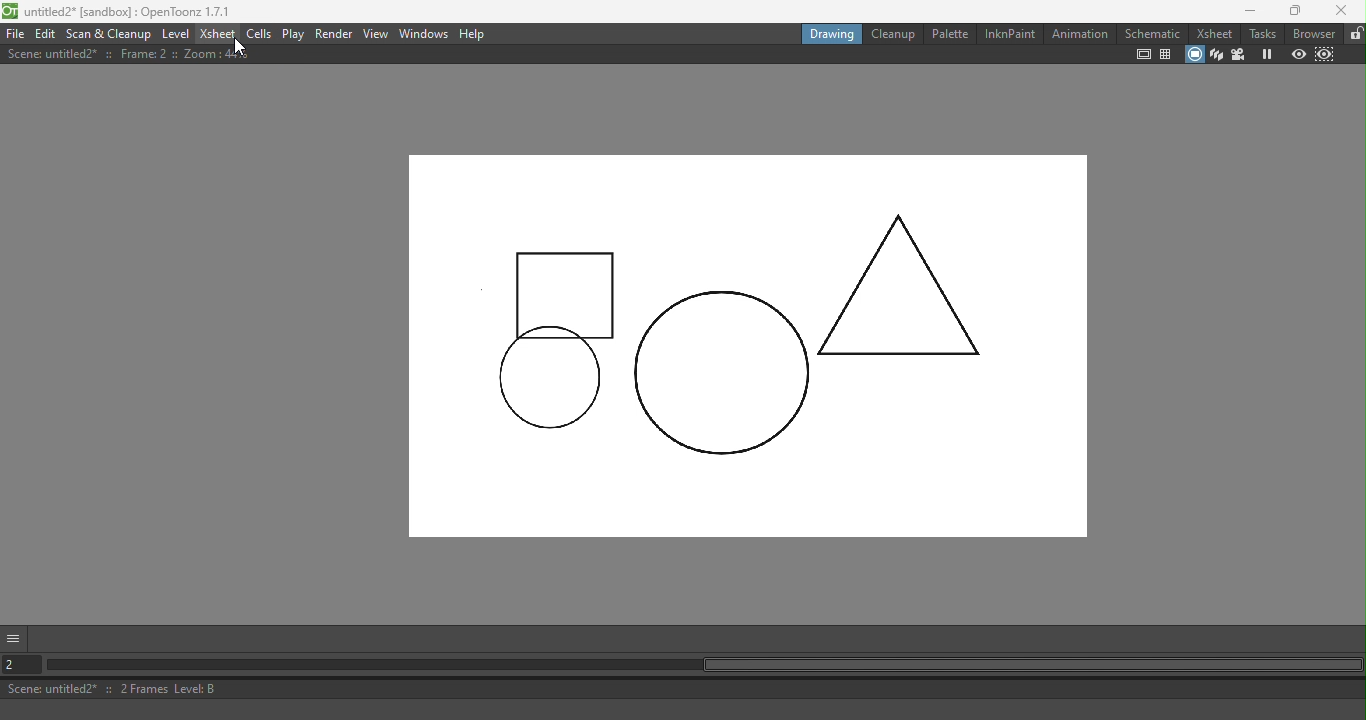 The image size is (1366, 720). I want to click on Cursor, so click(240, 47).